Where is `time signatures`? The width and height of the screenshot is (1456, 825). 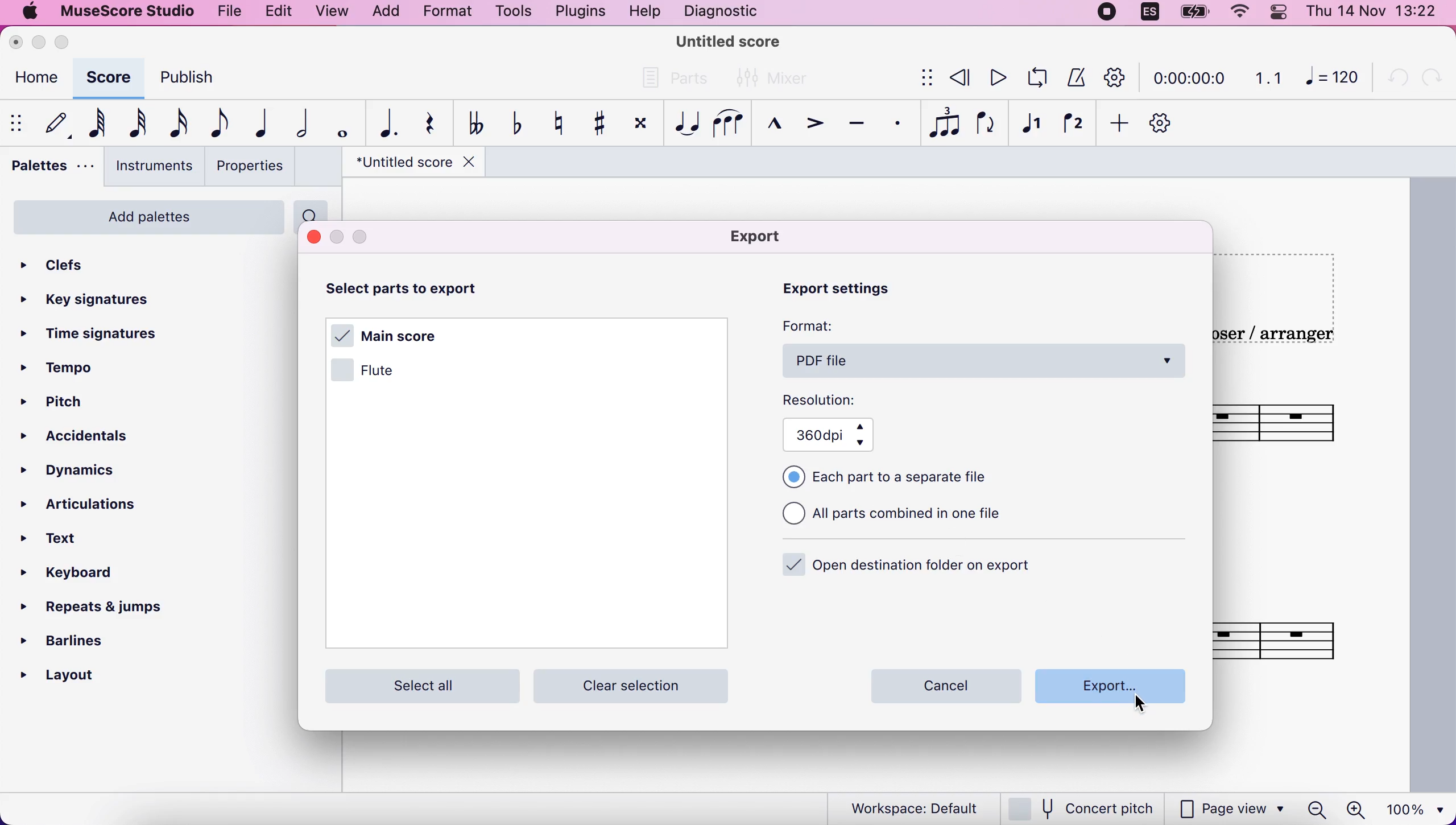 time signatures is located at coordinates (108, 335).